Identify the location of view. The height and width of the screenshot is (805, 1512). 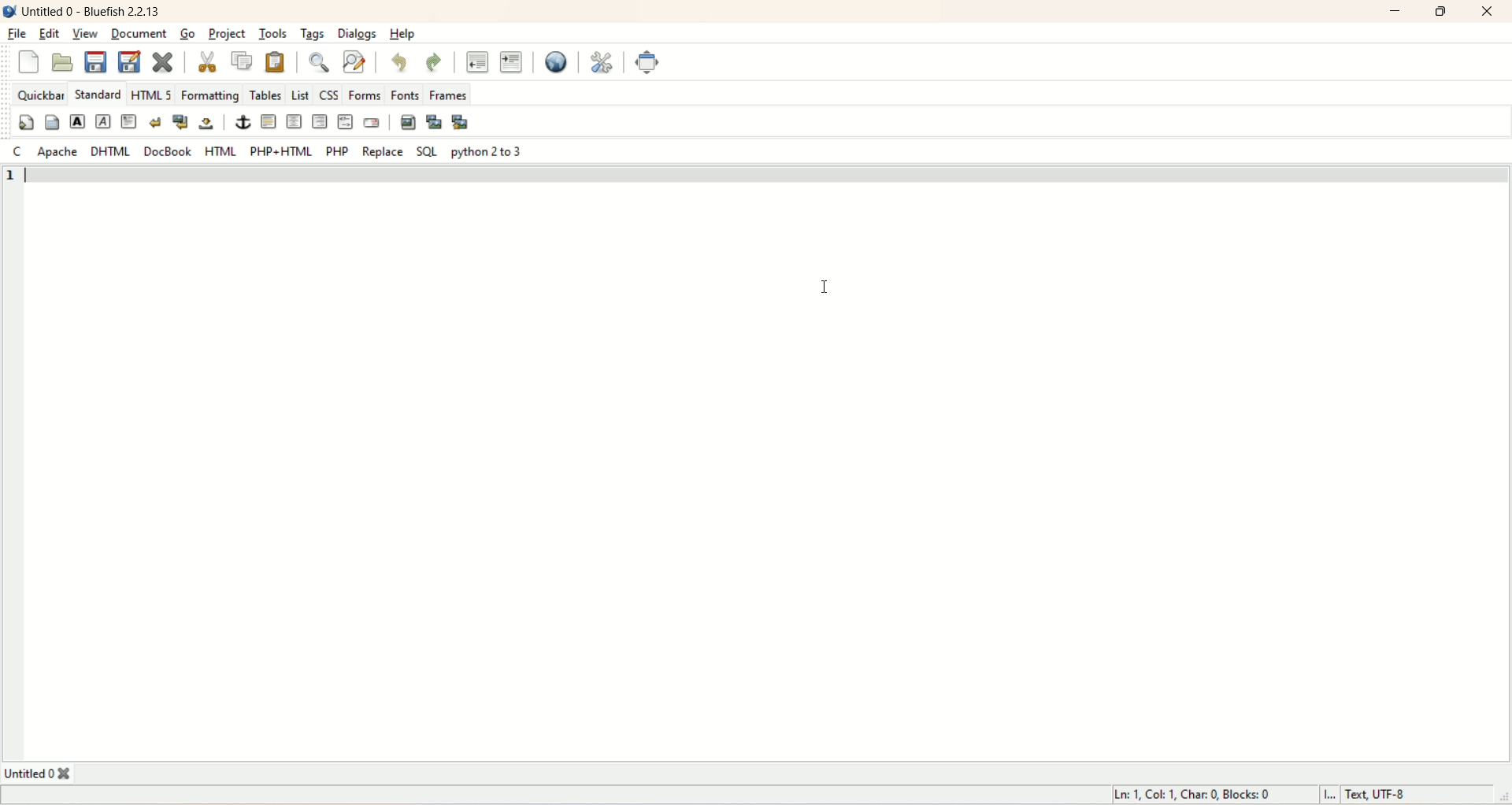
(85, 35).